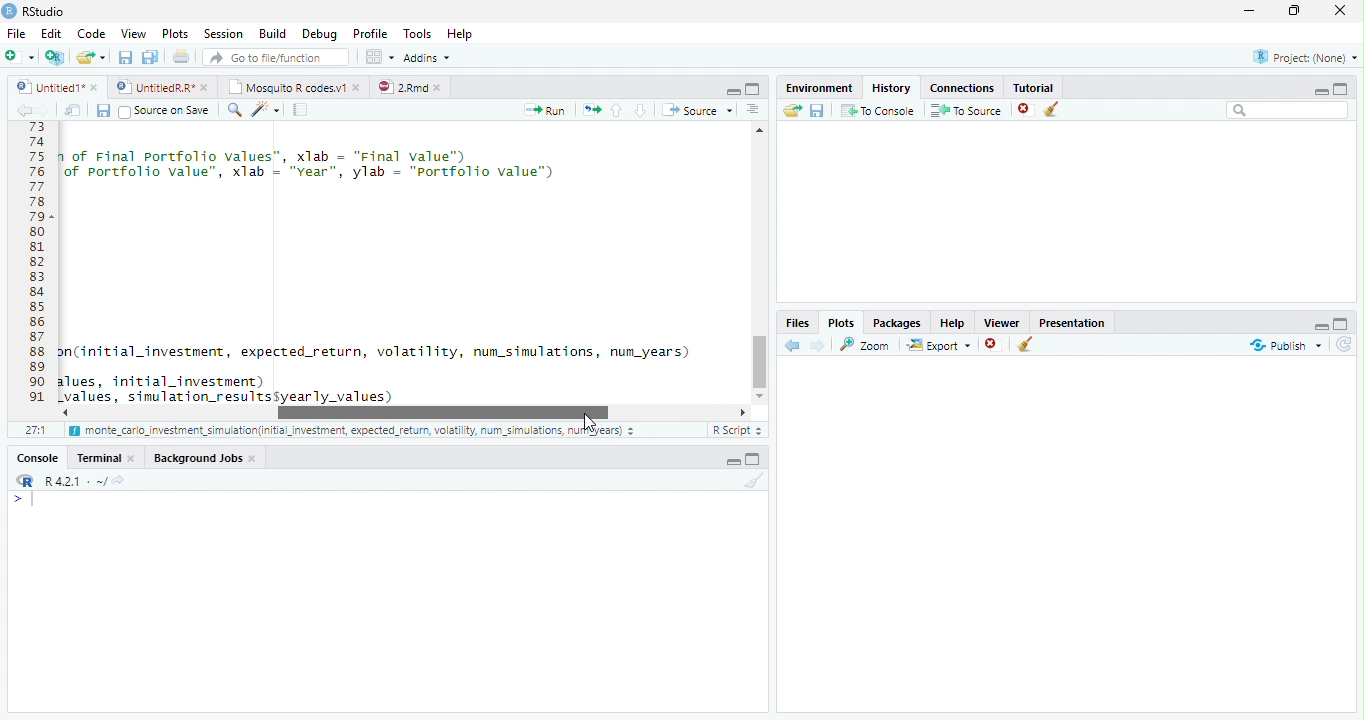  Describe the element at coordinates (732, 461) in the screenshot. I see `Hide` at that location.